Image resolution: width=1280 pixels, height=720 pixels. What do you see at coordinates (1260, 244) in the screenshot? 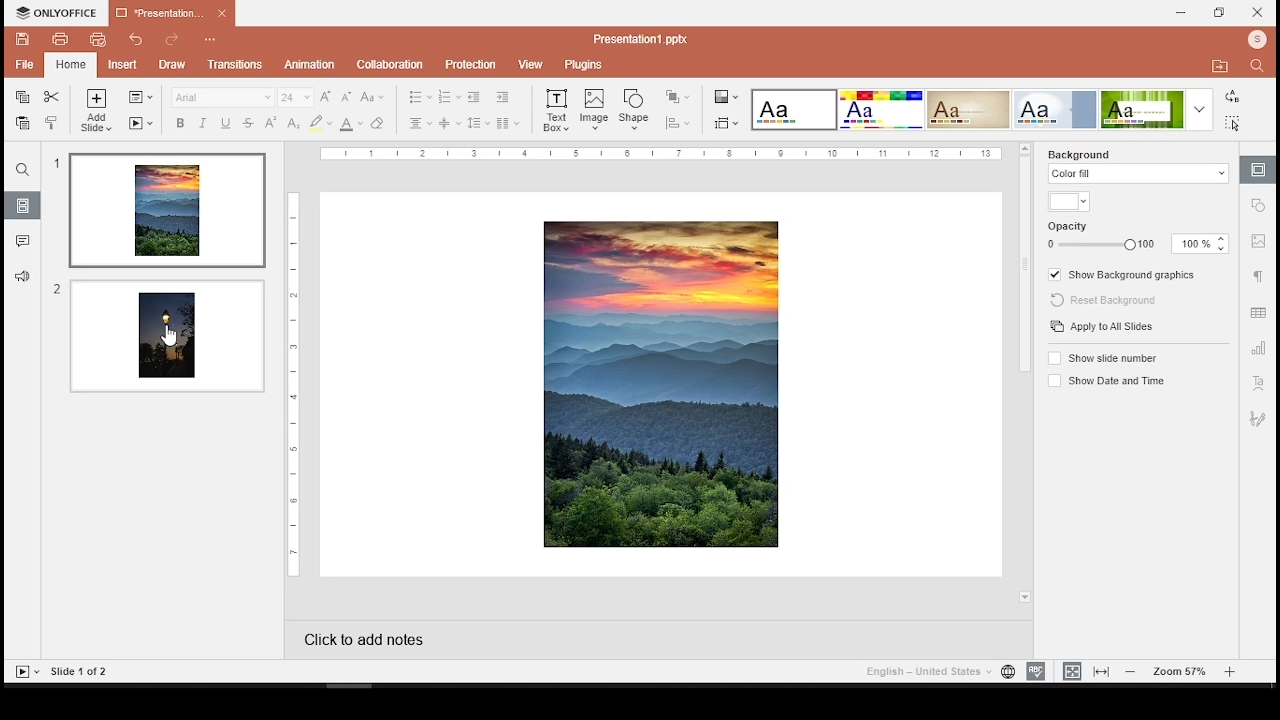
I see `image settings` at bounding box center [1260, 244].